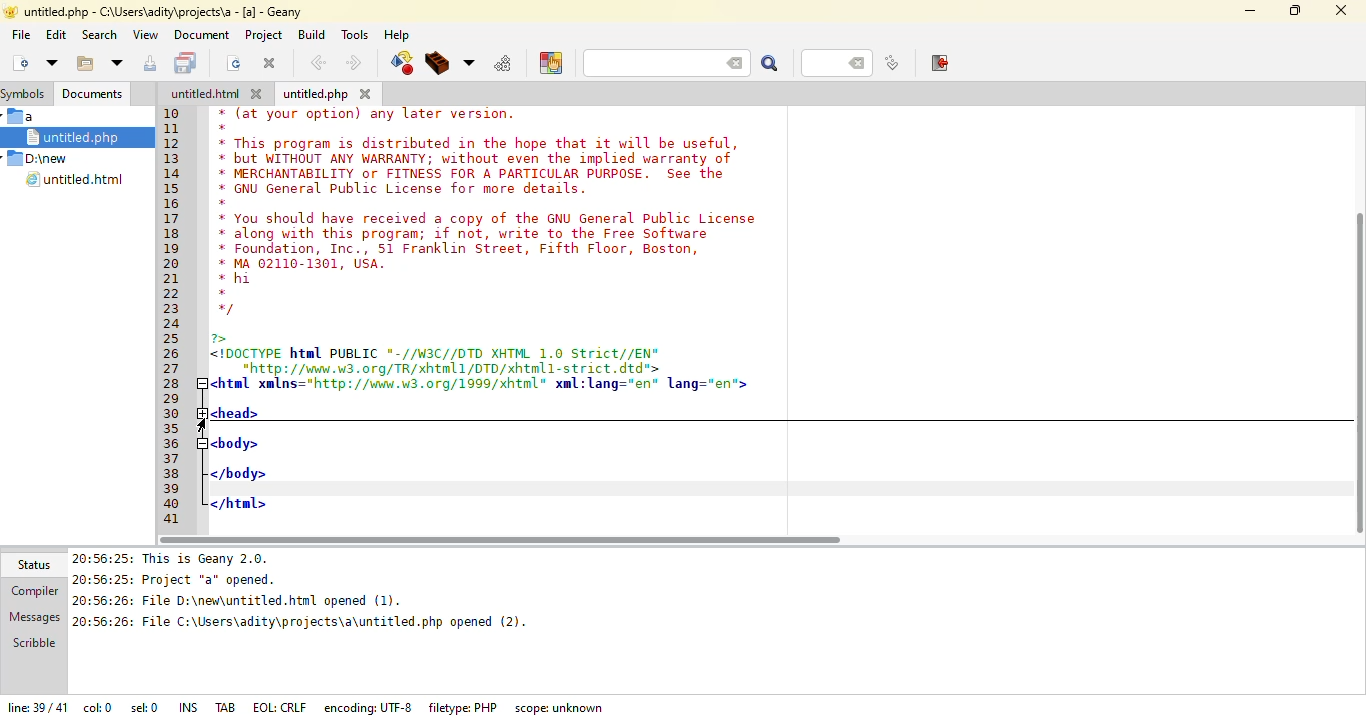 Image resolution: width=1366 pixels, height=720 pixels. What do you see at coordinates (34, 643) in the screenshot?
I see `scribble` at bounding box center [34, 643].